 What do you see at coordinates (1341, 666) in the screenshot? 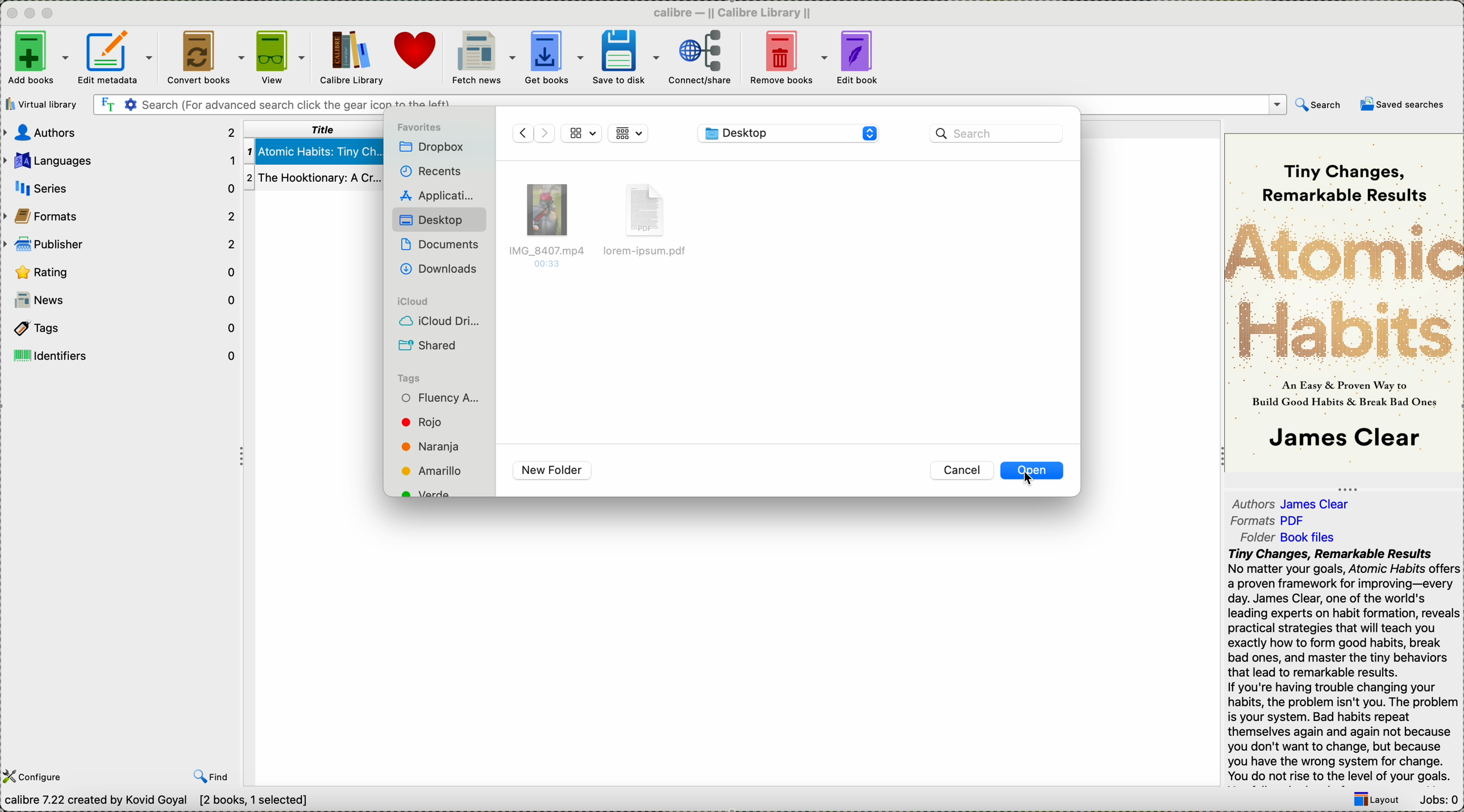
I see `Tiny Changes, Remarkable ResultsNo matter your goals, Atomic Habits offersa proven framework for improving—everyday. James Clear, one of the world'sleading experts on habit formation, revealspractical strategies that will teach youexactly how to form good habits, breakbad ones, and master the tiny behaviorsthat lead to remarkable results.If you're having trouble changing yourhabits, the problem isn't you. The problemis your system. Bad habits repeatthemselves again and again not becauseyou don't want to change, but becauseyou have the wrong system for change.You do not rise to the level of your goals.` at bounding box center [1341, 666].